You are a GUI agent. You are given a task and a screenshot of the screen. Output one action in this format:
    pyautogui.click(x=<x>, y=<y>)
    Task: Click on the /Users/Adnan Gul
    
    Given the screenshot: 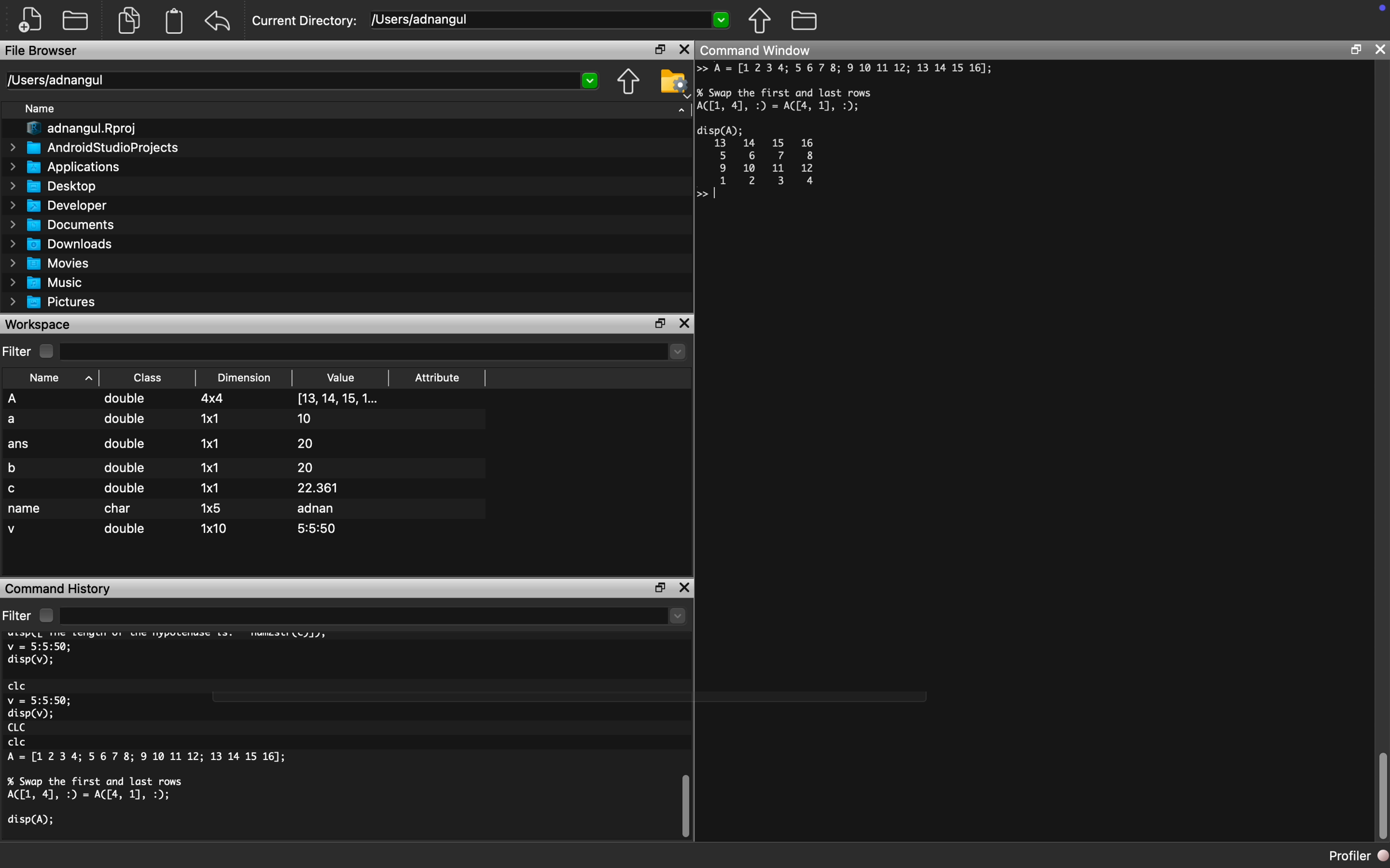 What is the action you would take?
    pyautogui.click(x=289, y=82)
    